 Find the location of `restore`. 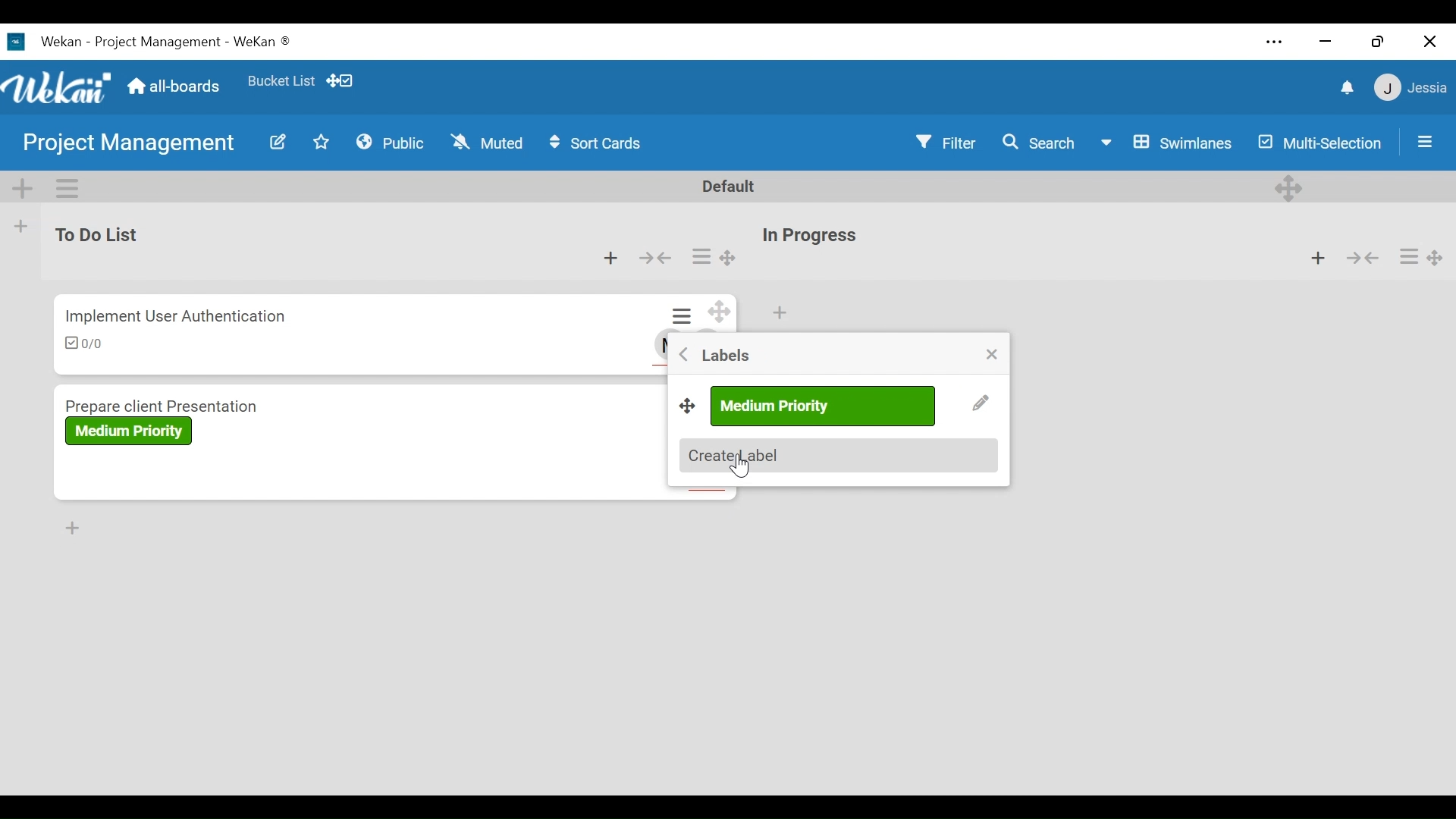

restore is located at coordinates (1378, 41).